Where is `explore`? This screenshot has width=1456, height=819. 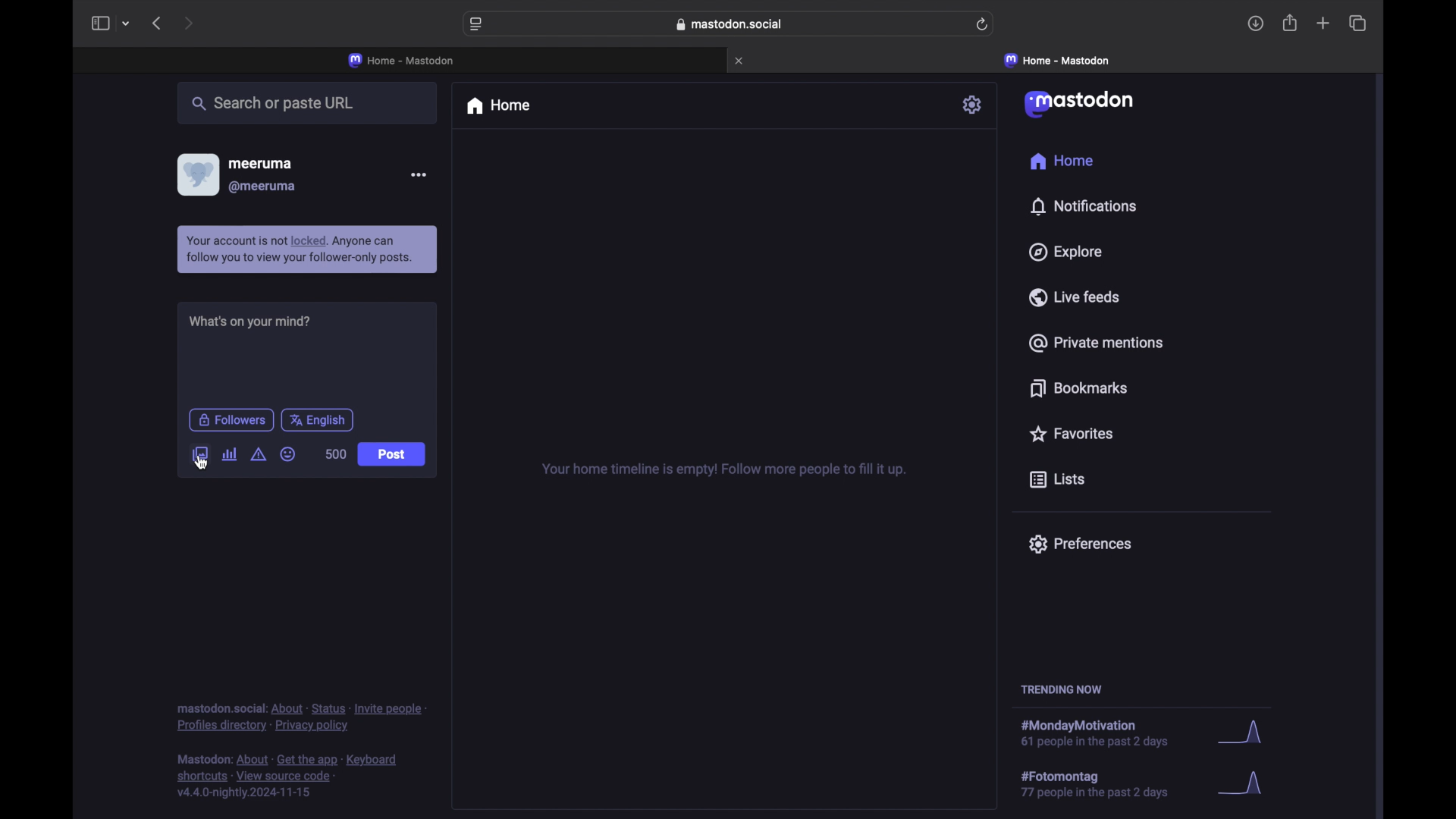 explore is located at coordinates (1066, 252).